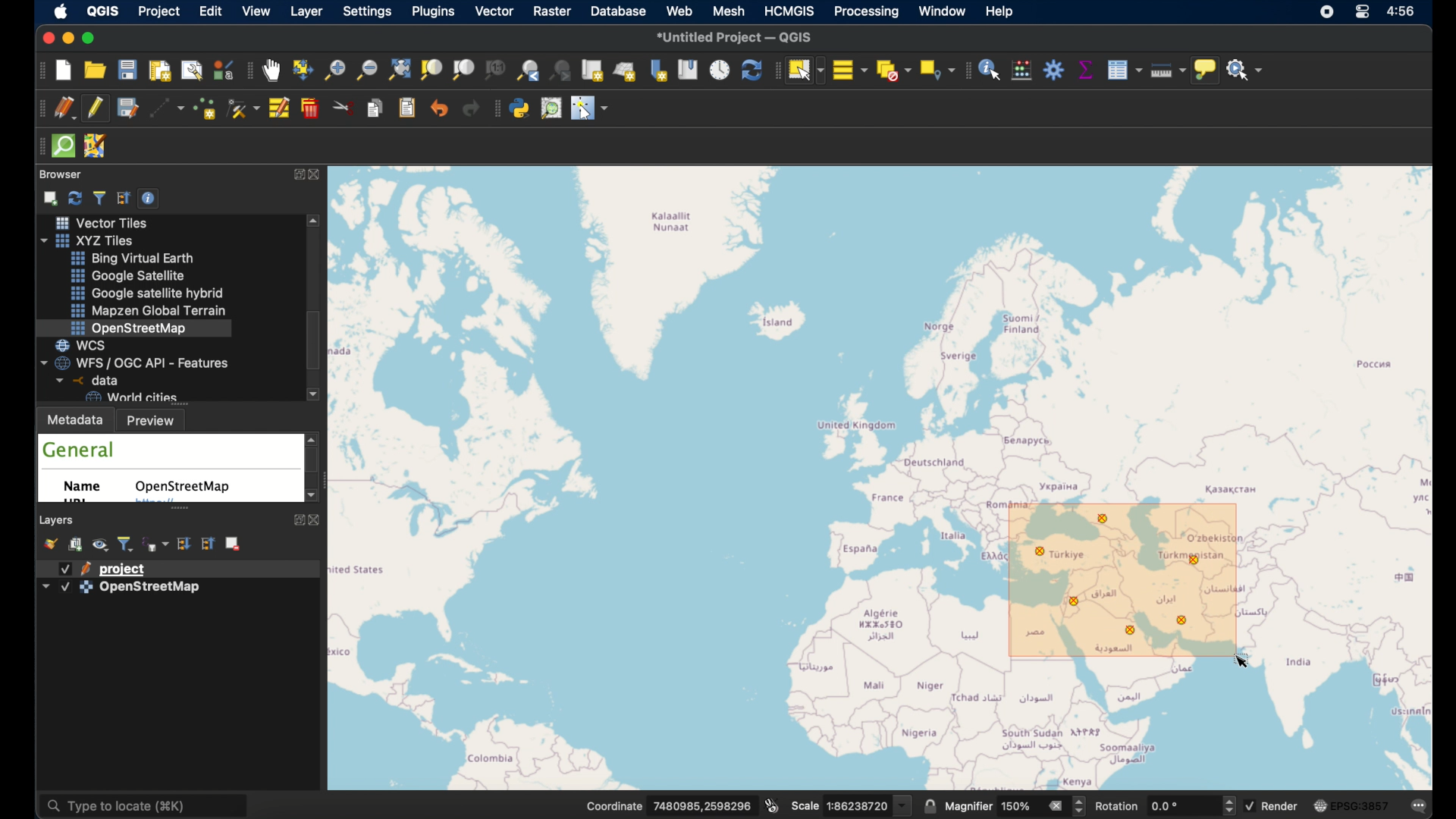 The image size is (1456, 819). I want to click on digitizing toolbar, so click(39, 108).